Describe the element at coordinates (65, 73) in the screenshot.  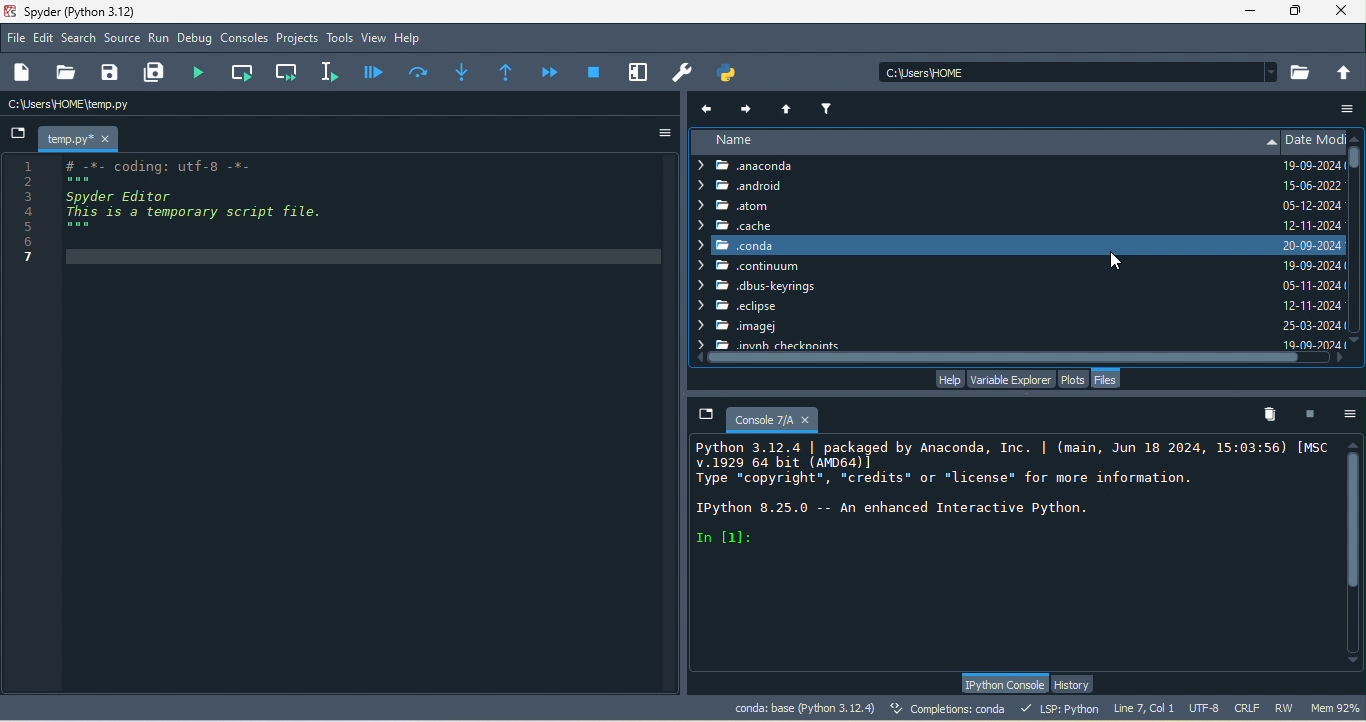
I see `open` at that location.